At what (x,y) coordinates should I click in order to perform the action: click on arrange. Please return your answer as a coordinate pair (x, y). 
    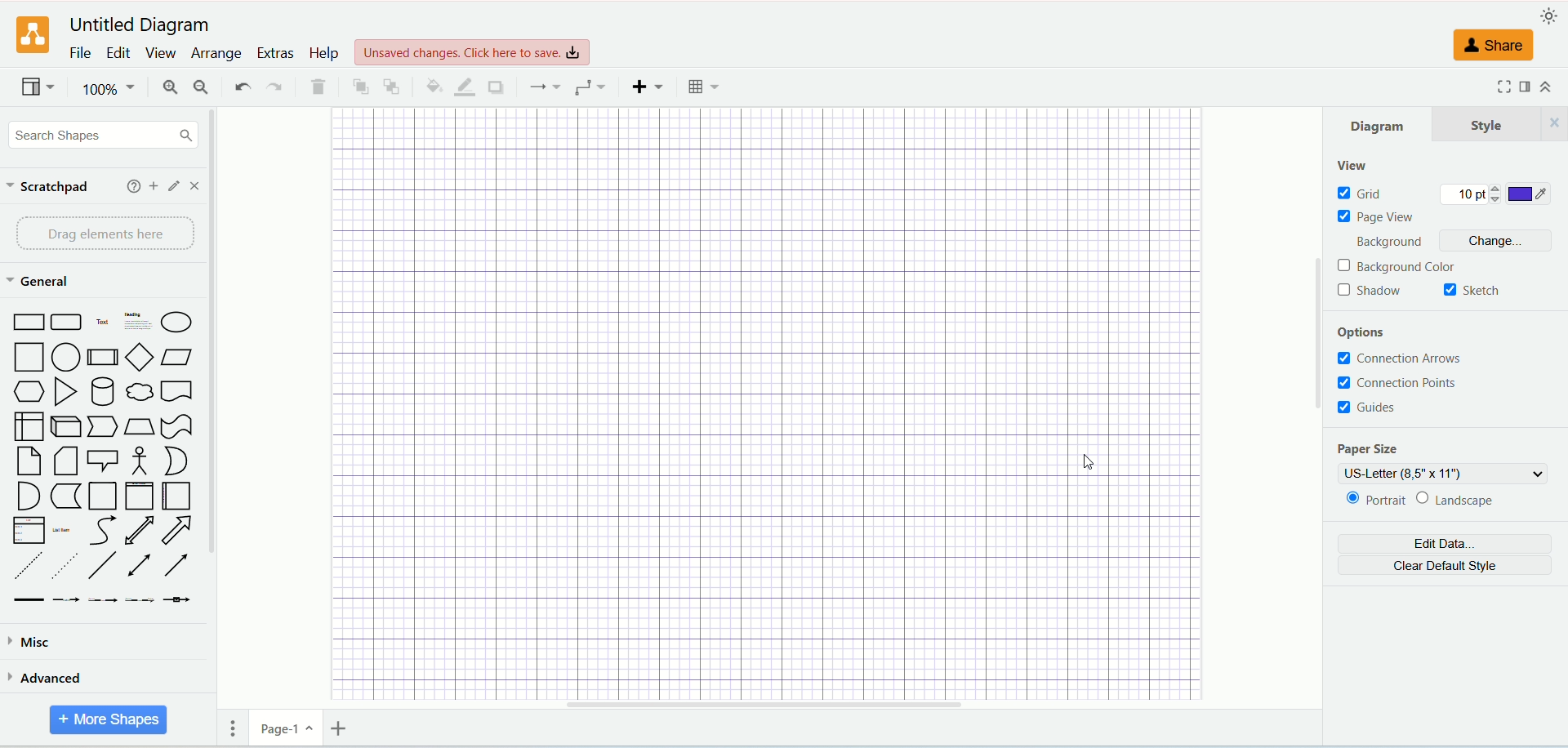
    Looking at the image, I should click on (216, 55).